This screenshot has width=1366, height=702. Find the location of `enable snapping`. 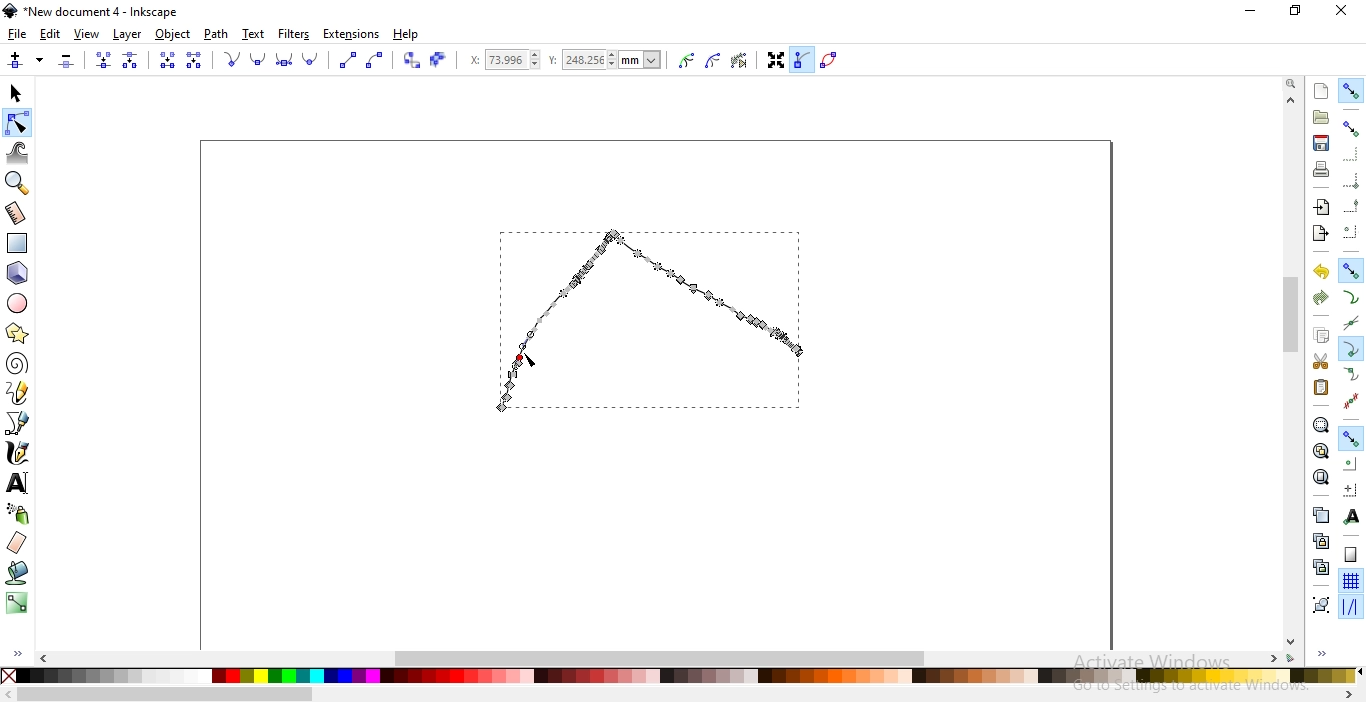

enable snapping is located at coordinates (1351, 91).